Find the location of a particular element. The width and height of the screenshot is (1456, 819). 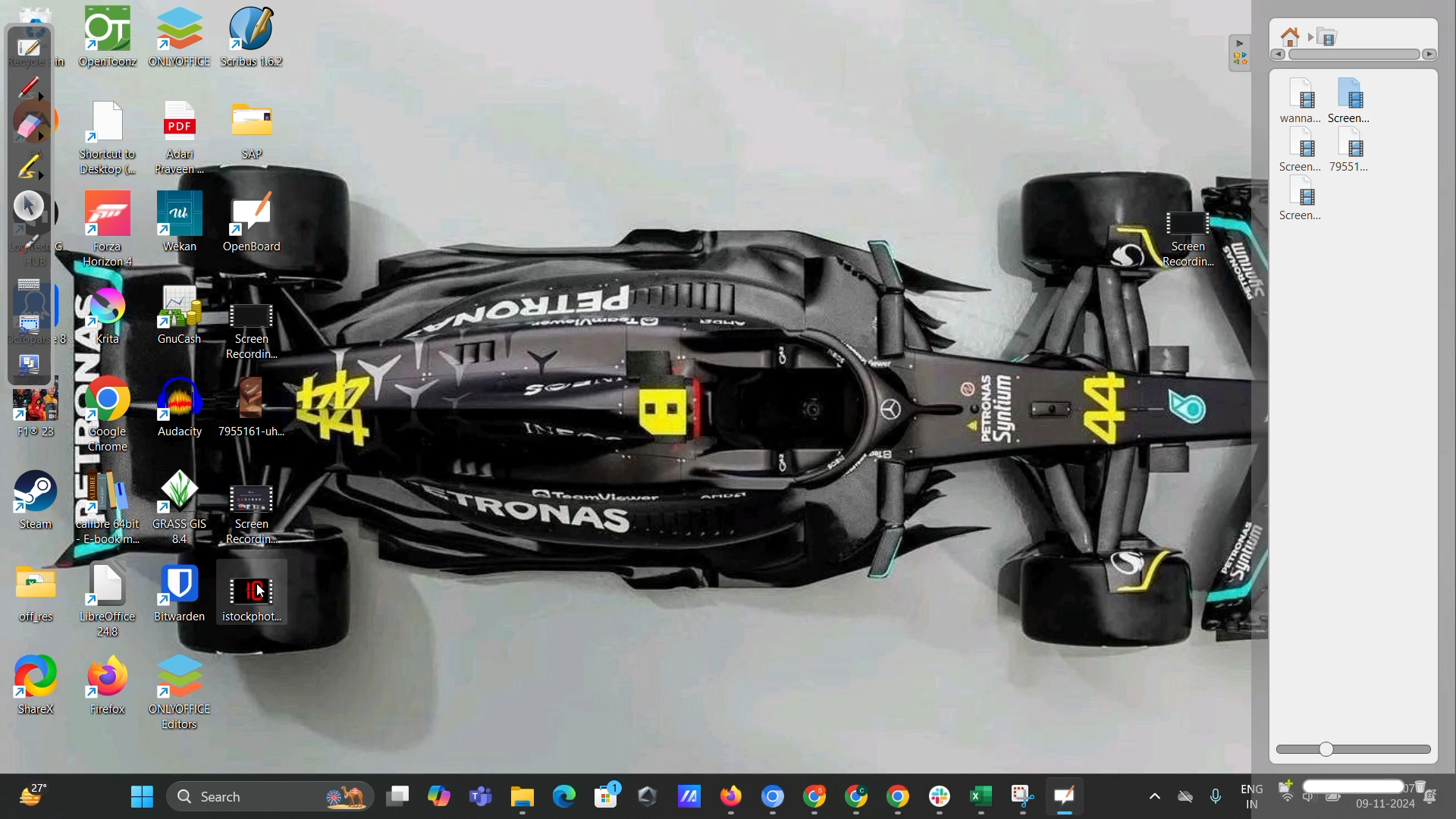

Audacity is located at coordinates (175, 409).